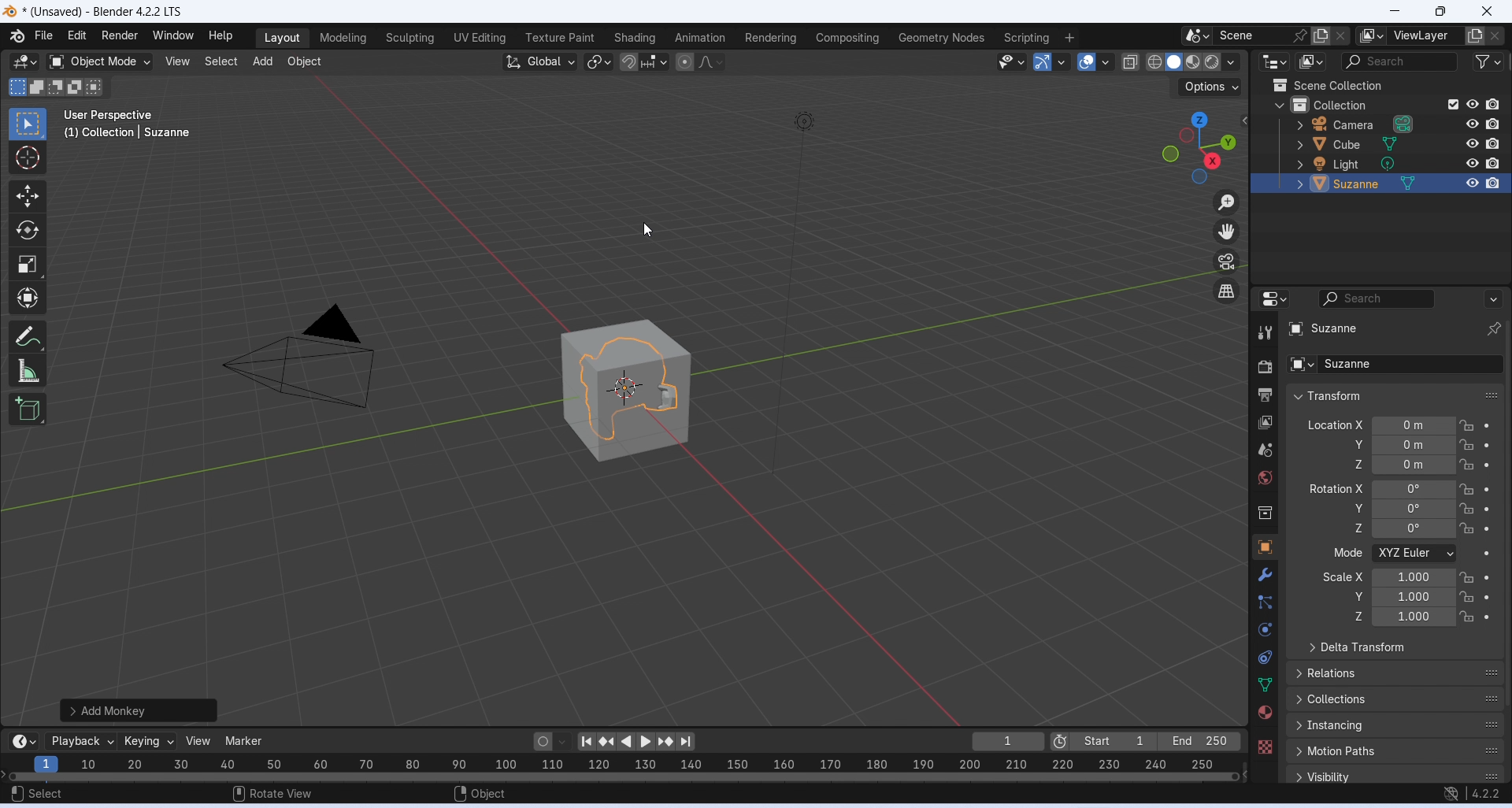  Describe the element at coordinates (1061, 61) in the screenshot. I see `gizmos` at that location.